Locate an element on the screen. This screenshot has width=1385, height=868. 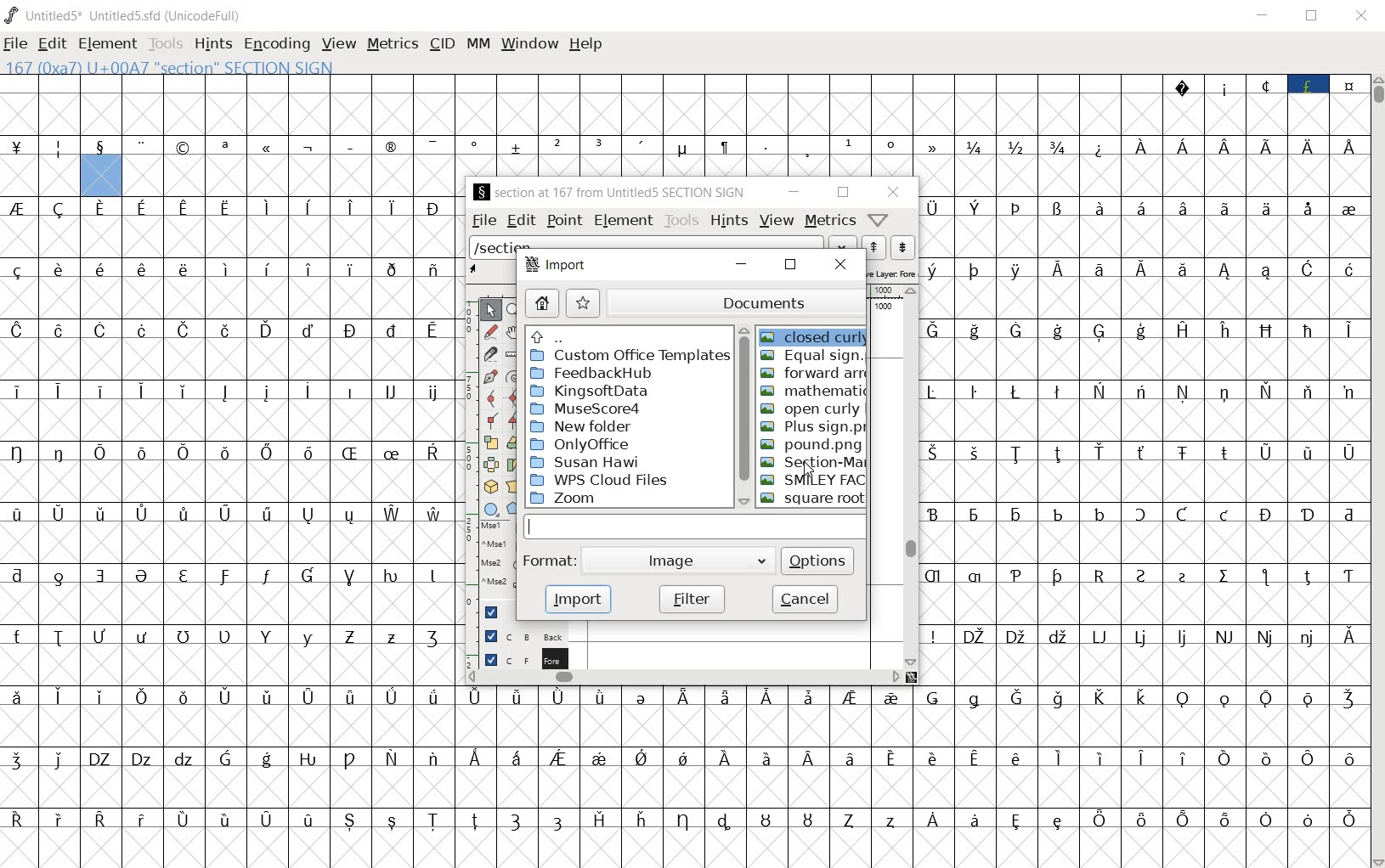
special symbols is located at coordinates (482, 148).